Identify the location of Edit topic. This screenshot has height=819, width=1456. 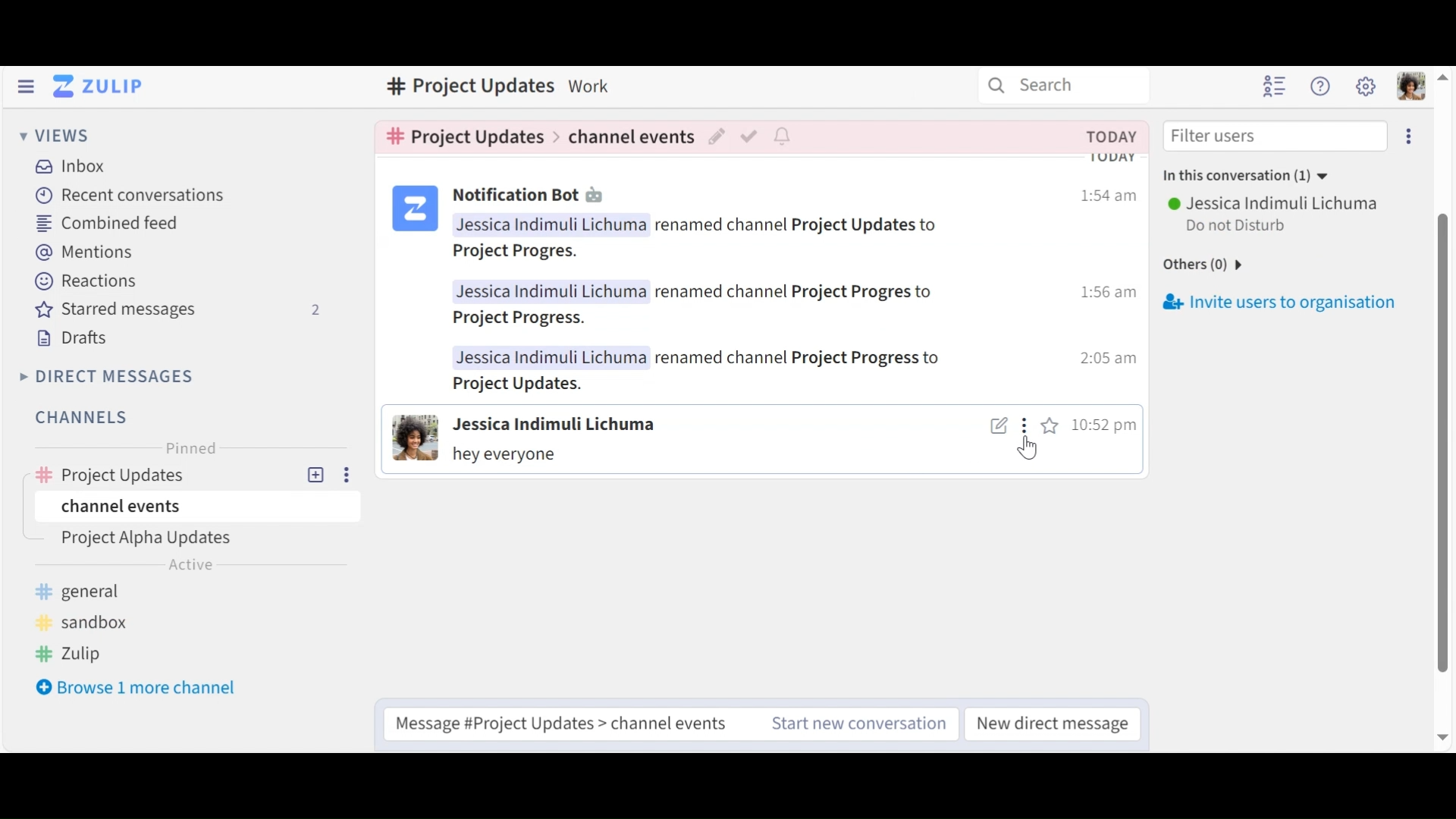
(718, 137).